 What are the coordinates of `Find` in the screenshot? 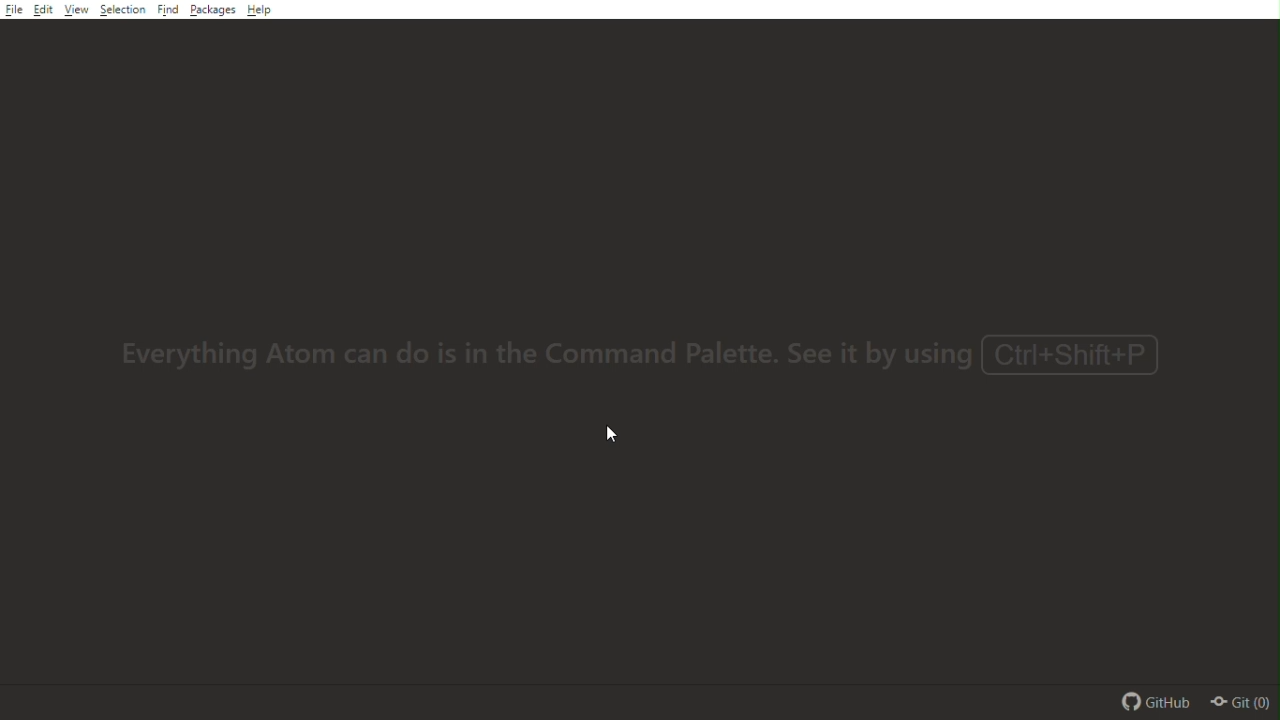 It's located at (170, 10).